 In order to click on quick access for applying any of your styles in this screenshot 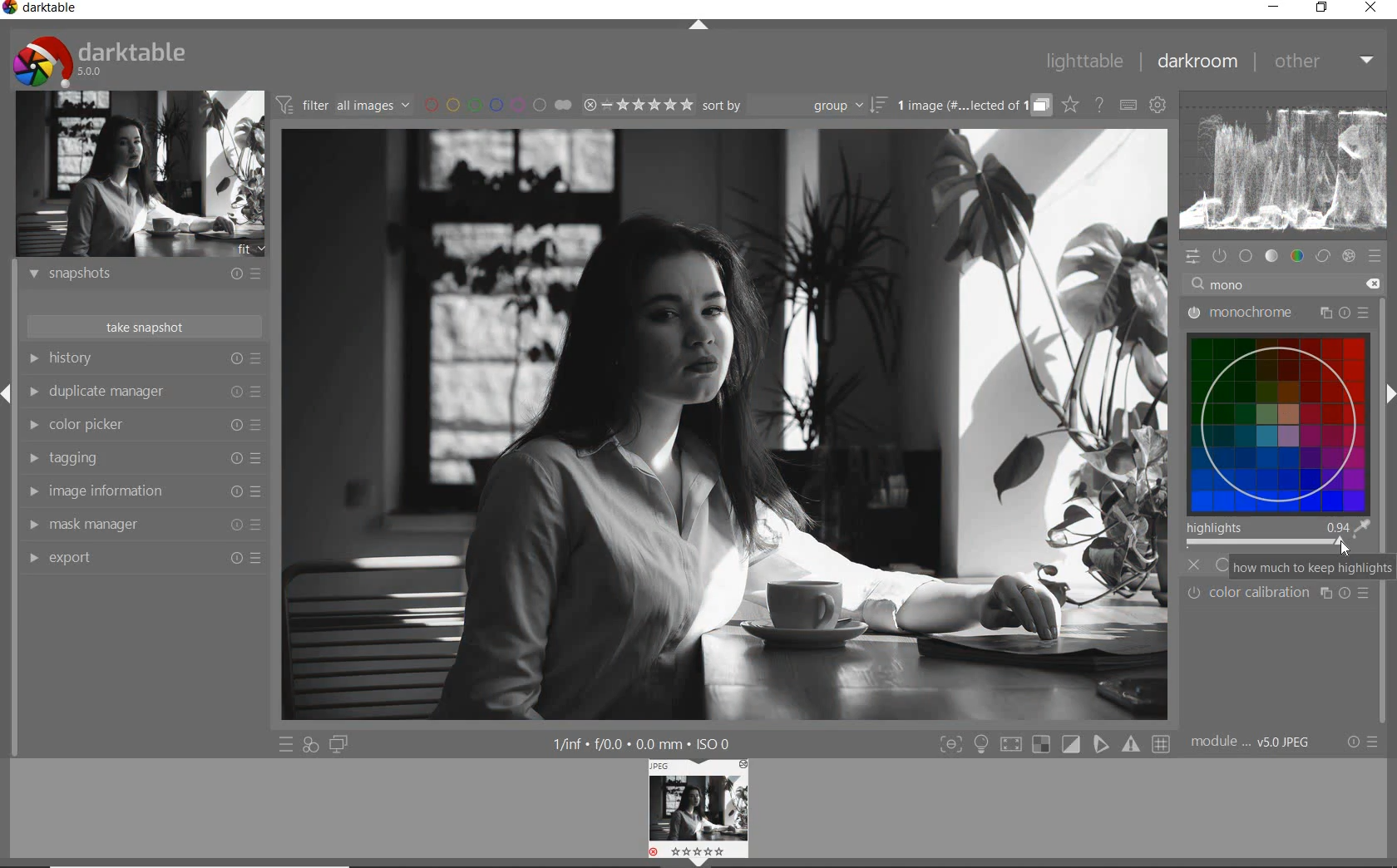, I will do `click(310, 745)`.